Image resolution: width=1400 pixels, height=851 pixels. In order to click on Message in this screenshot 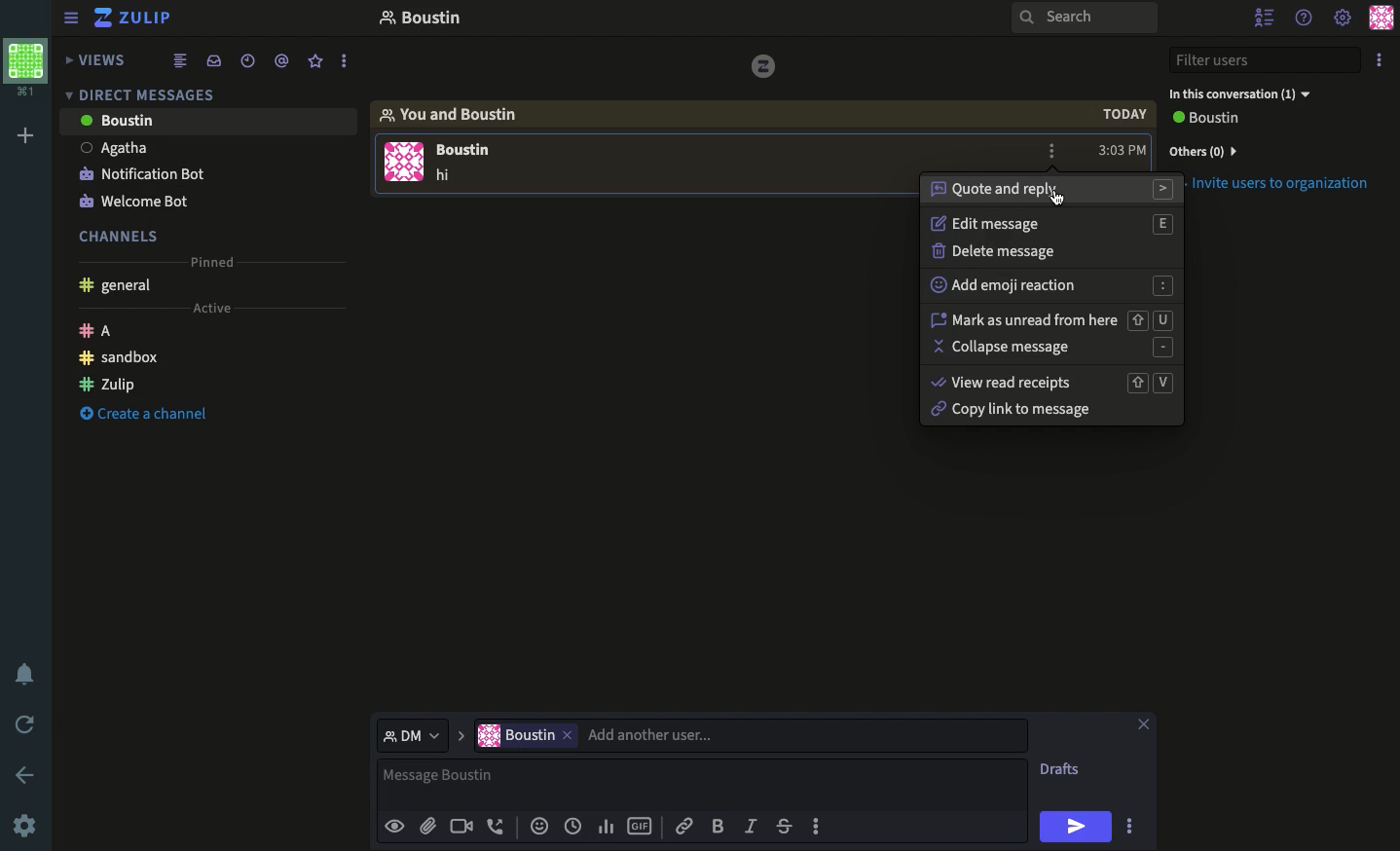, I will do `click(702, 779)`.